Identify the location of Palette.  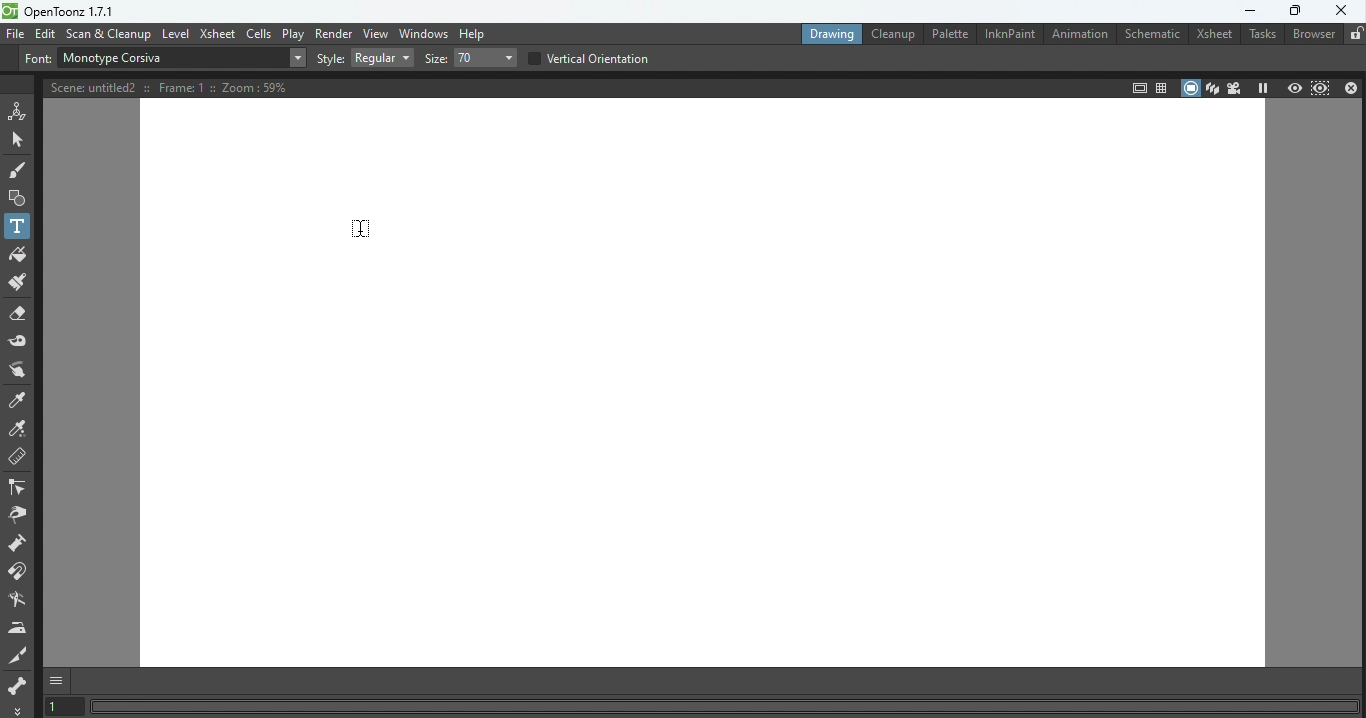
(948, 35).